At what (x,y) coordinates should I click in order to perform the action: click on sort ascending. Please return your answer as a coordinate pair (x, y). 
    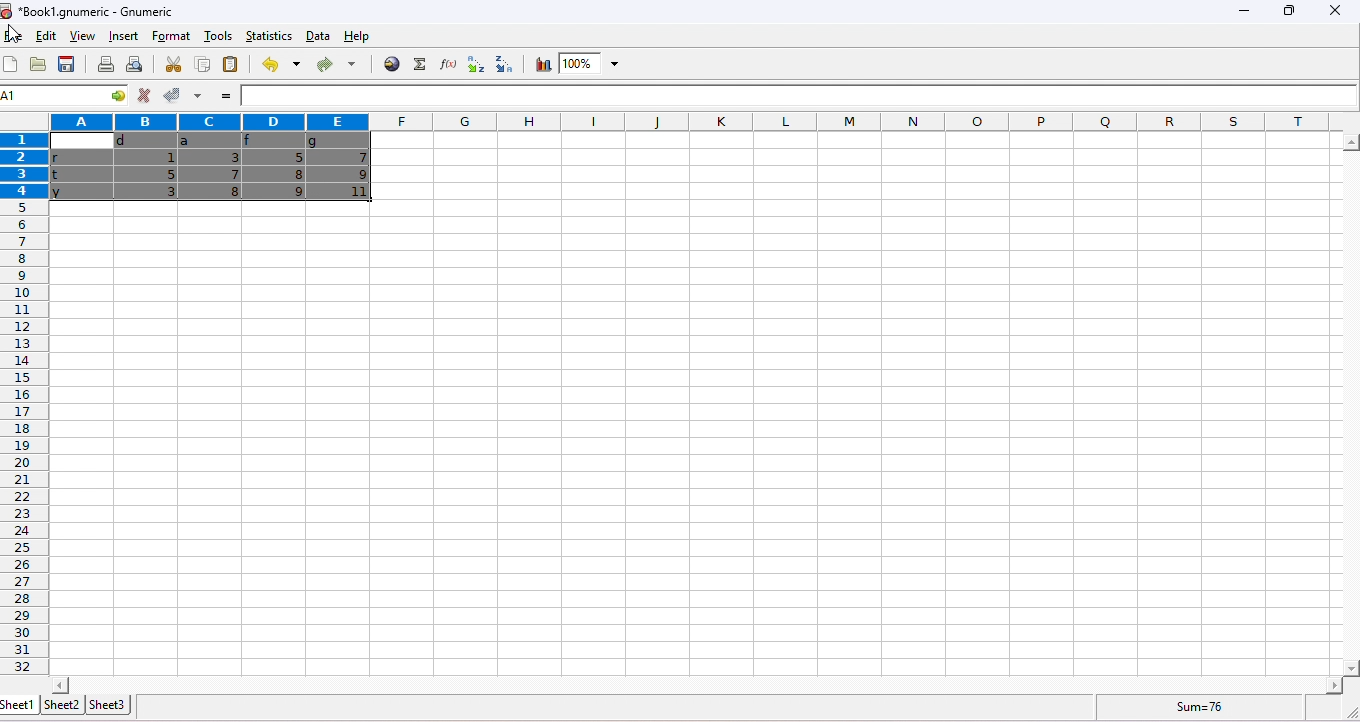
    Looking at the image, I should click on (472, 65).